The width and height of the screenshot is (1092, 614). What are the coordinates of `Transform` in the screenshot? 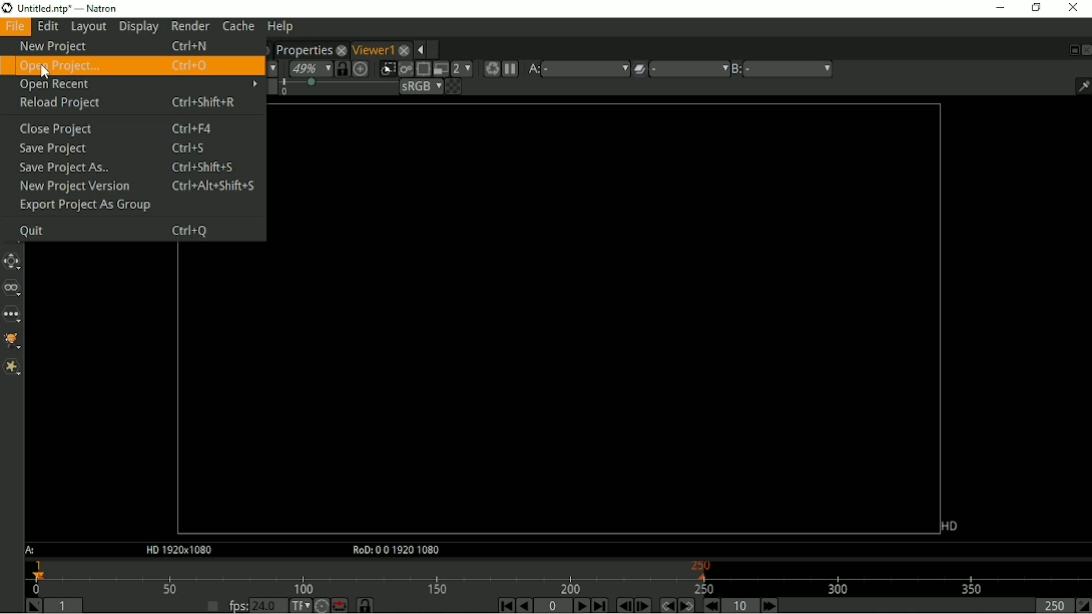 It's located at (14, 261).